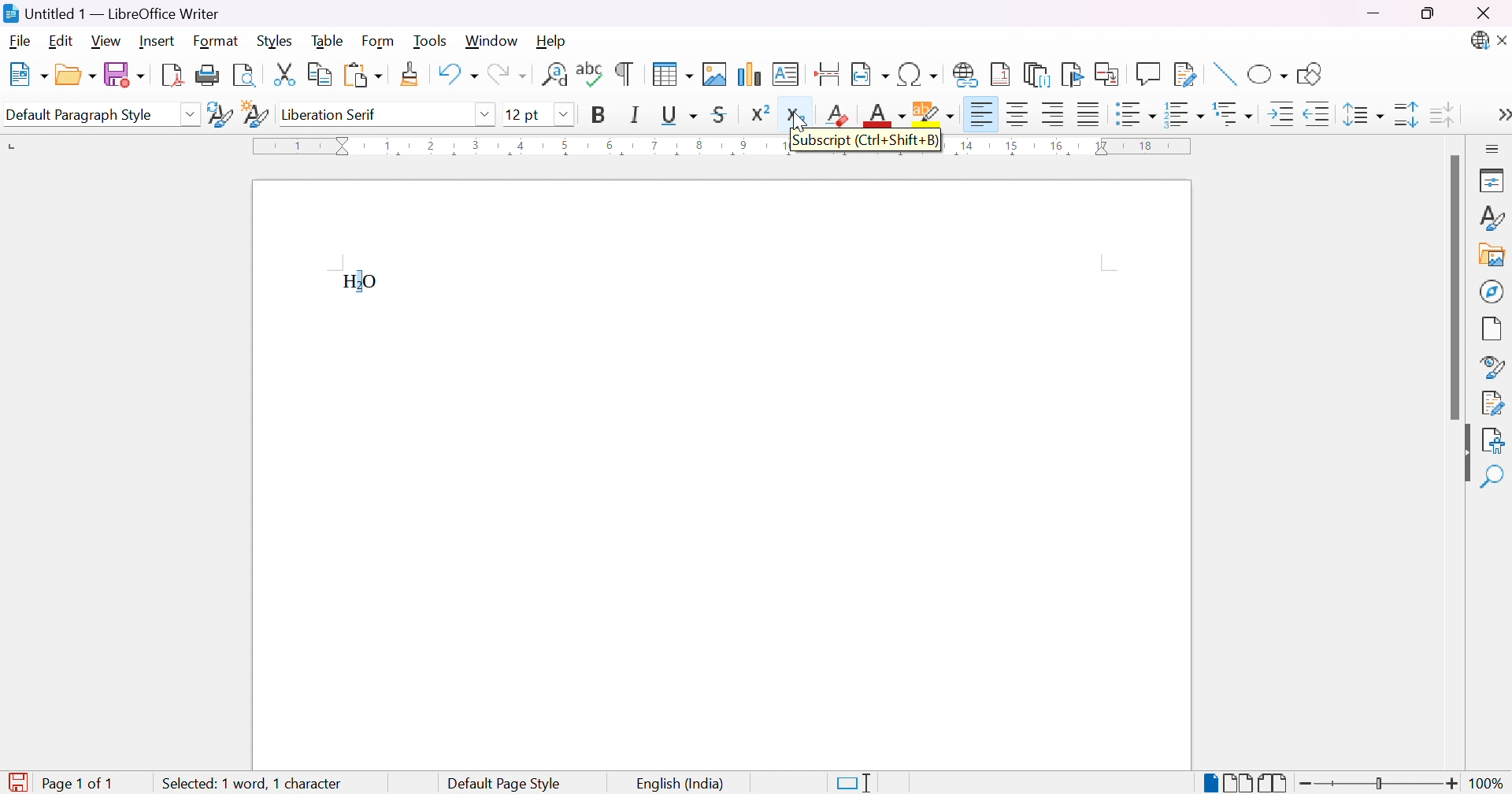 The height and width of the screenshot is (794, 1512). What do you see at coordinates (759, 113) in the screenshot?
I see `Superscript` at bounding box center [759, 113].